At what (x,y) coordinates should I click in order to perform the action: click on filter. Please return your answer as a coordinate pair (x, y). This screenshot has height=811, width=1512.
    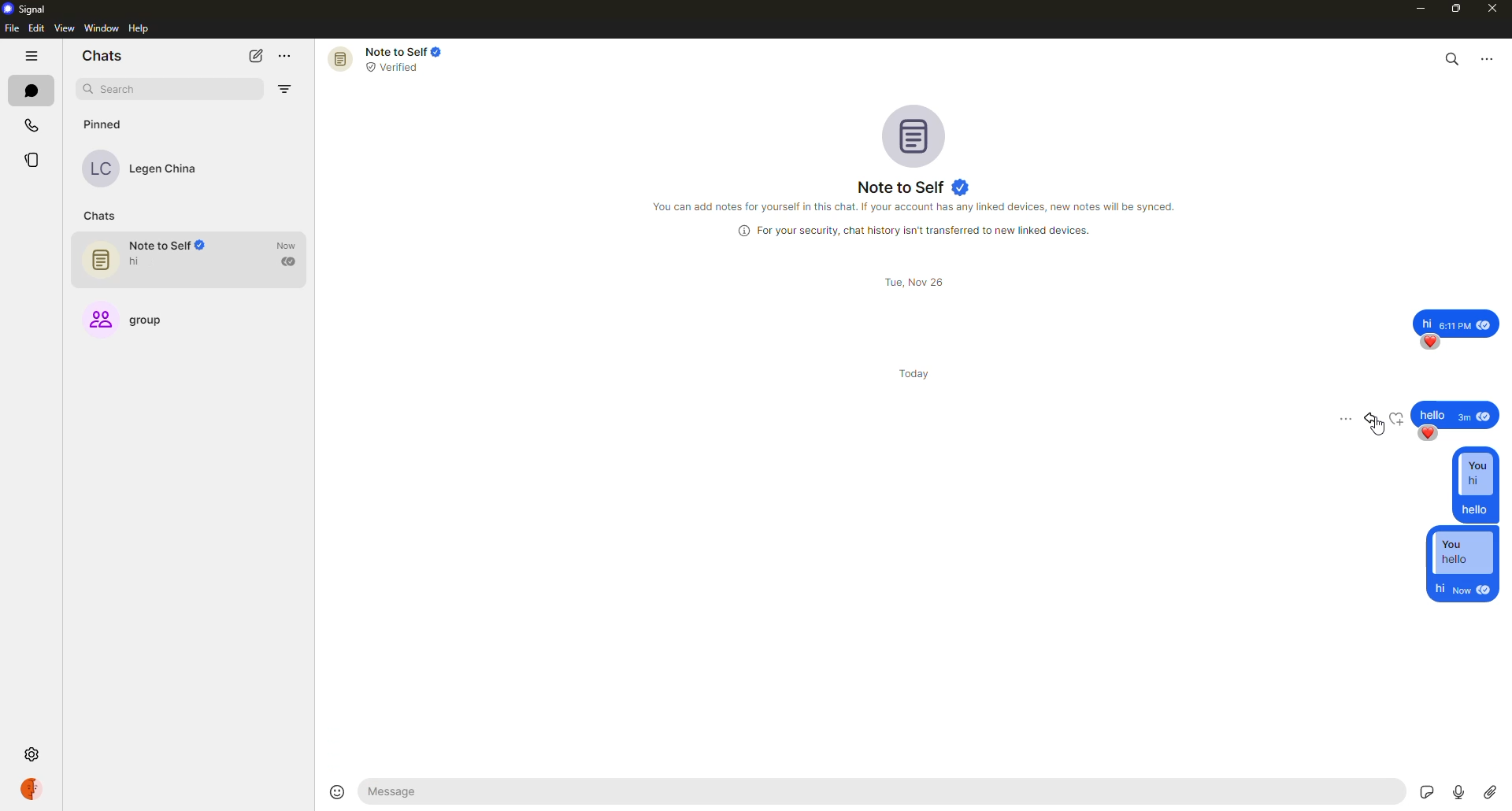
    Looking at the image, I should click on (286, 91).